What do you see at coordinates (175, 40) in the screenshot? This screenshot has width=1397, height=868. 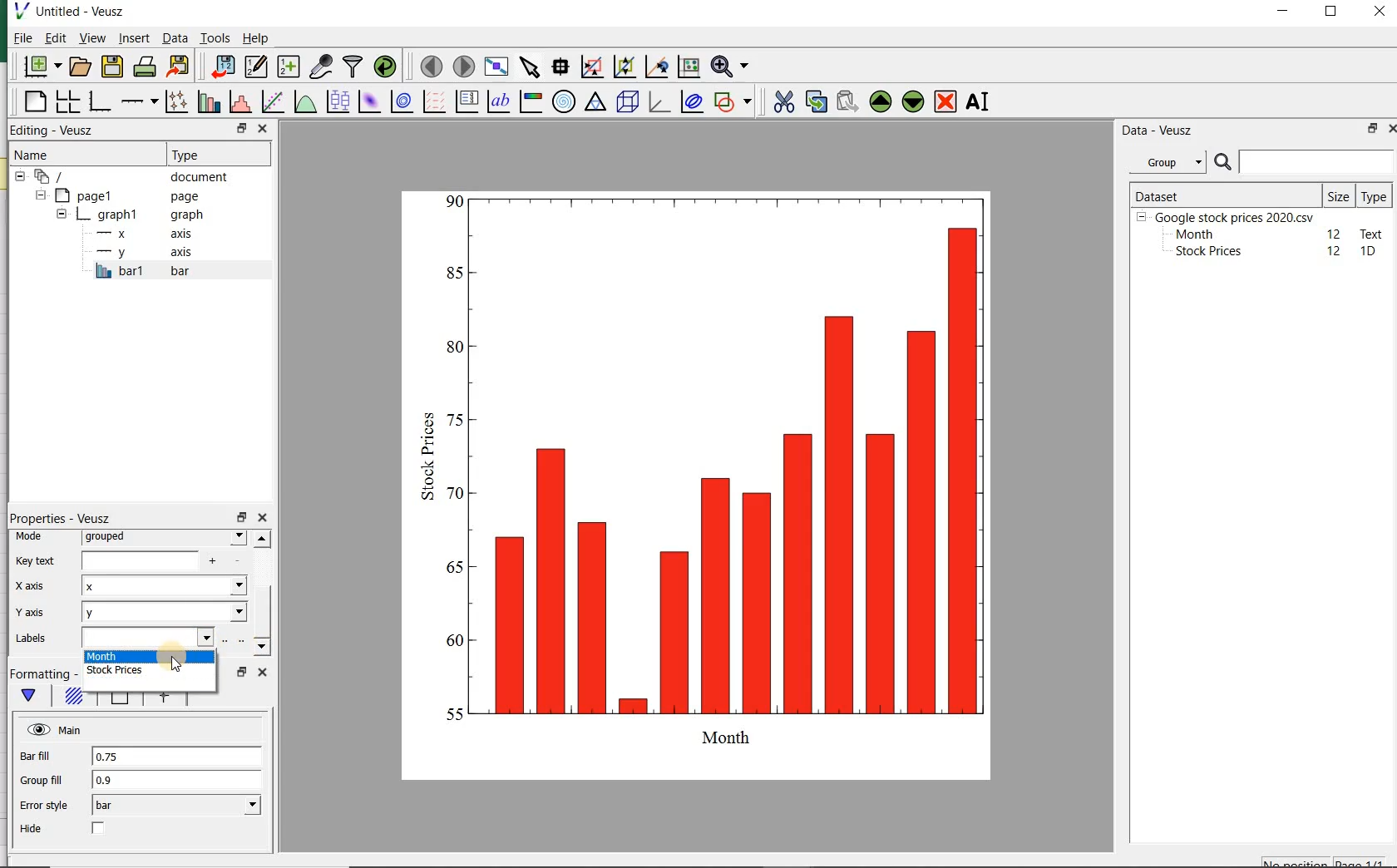 I see `Data` at bounding box center [175, 40].